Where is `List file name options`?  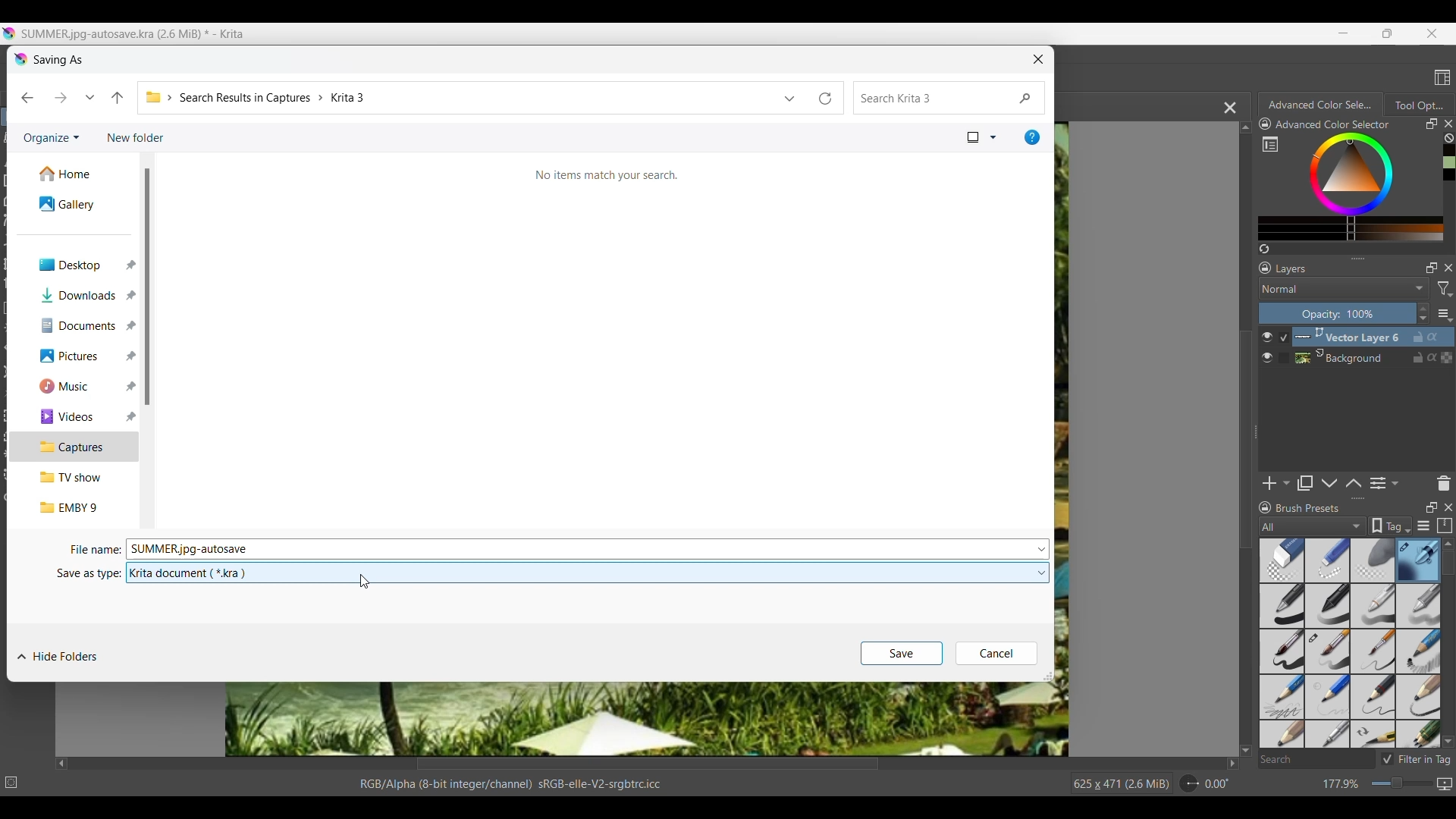 List file name options is located at coordinates (1042, 549).